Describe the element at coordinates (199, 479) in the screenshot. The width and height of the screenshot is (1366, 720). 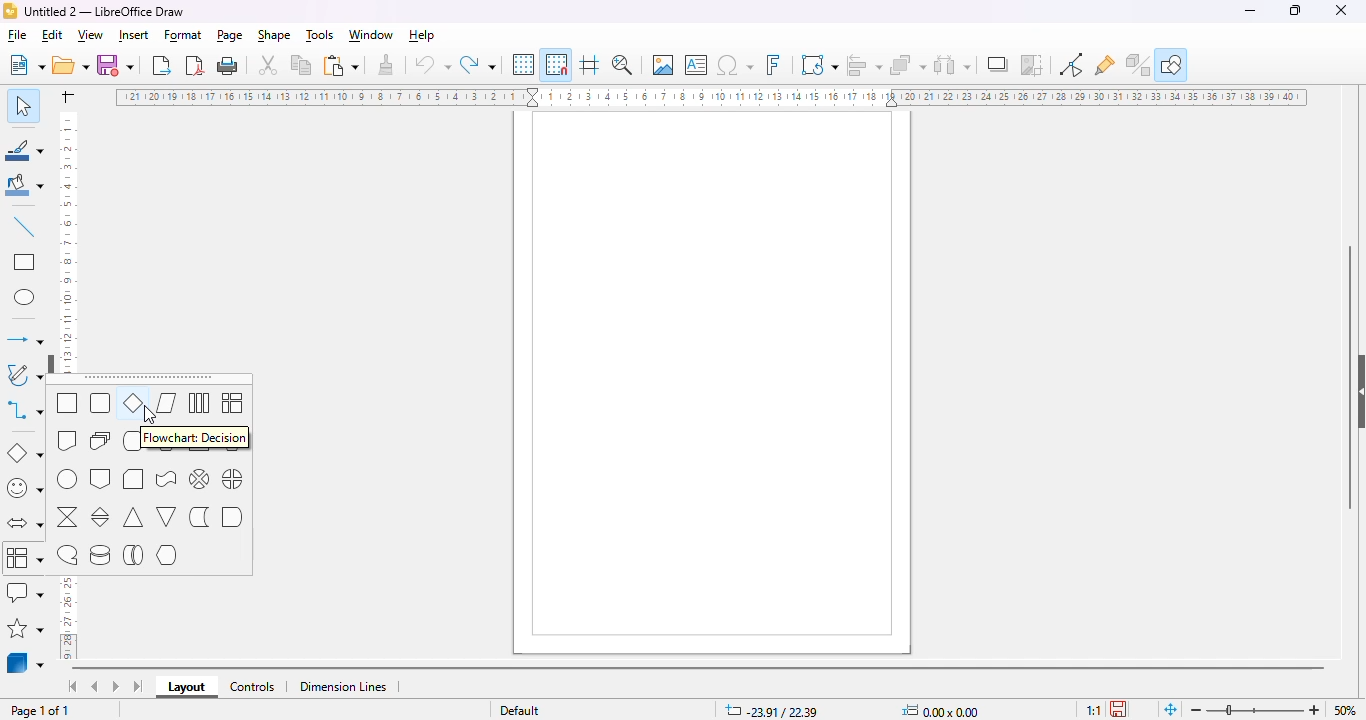
I see `flowchart: summing junction` at that location.